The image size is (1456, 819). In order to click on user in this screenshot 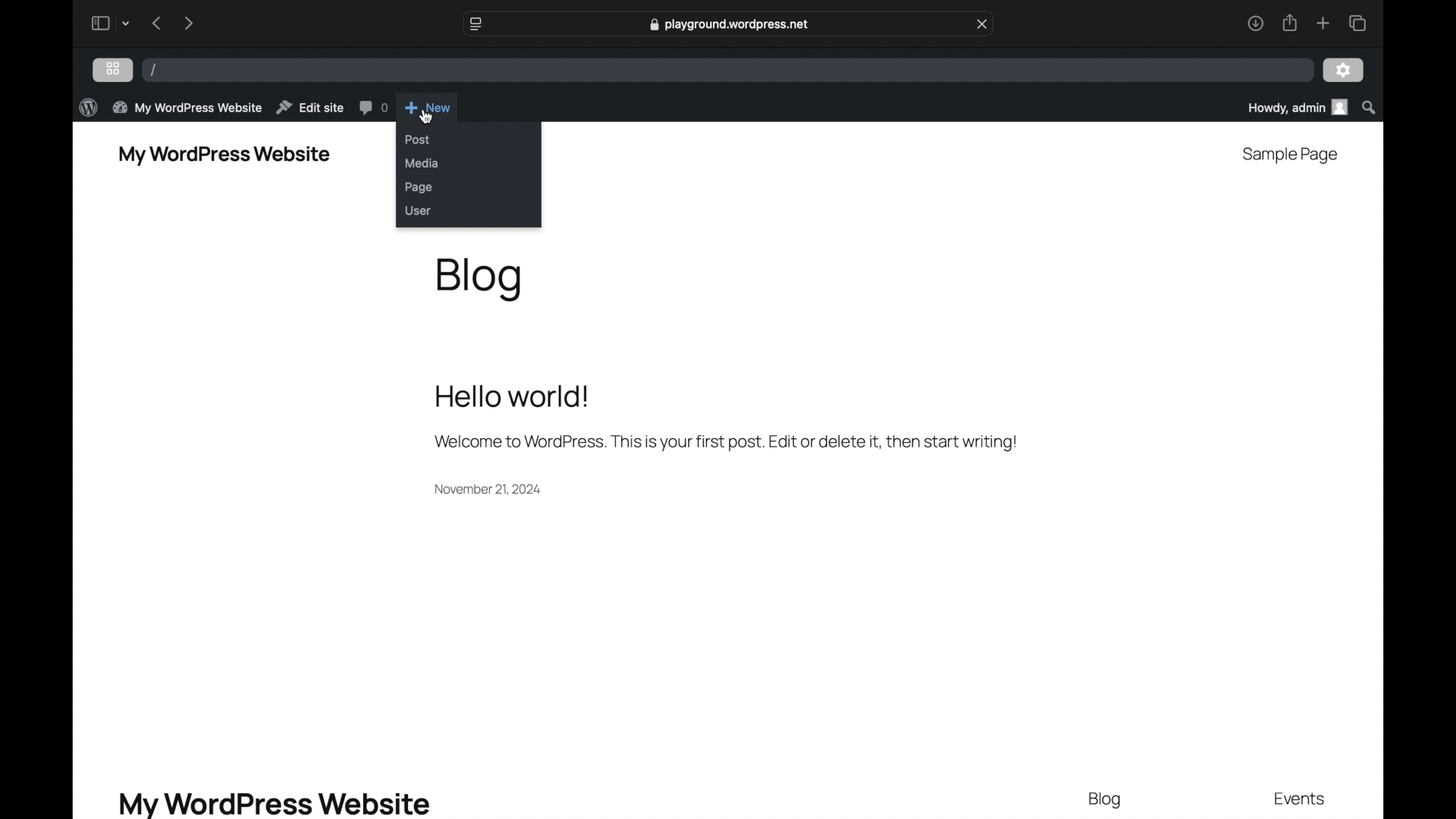, I will do `click(419, 211)`.